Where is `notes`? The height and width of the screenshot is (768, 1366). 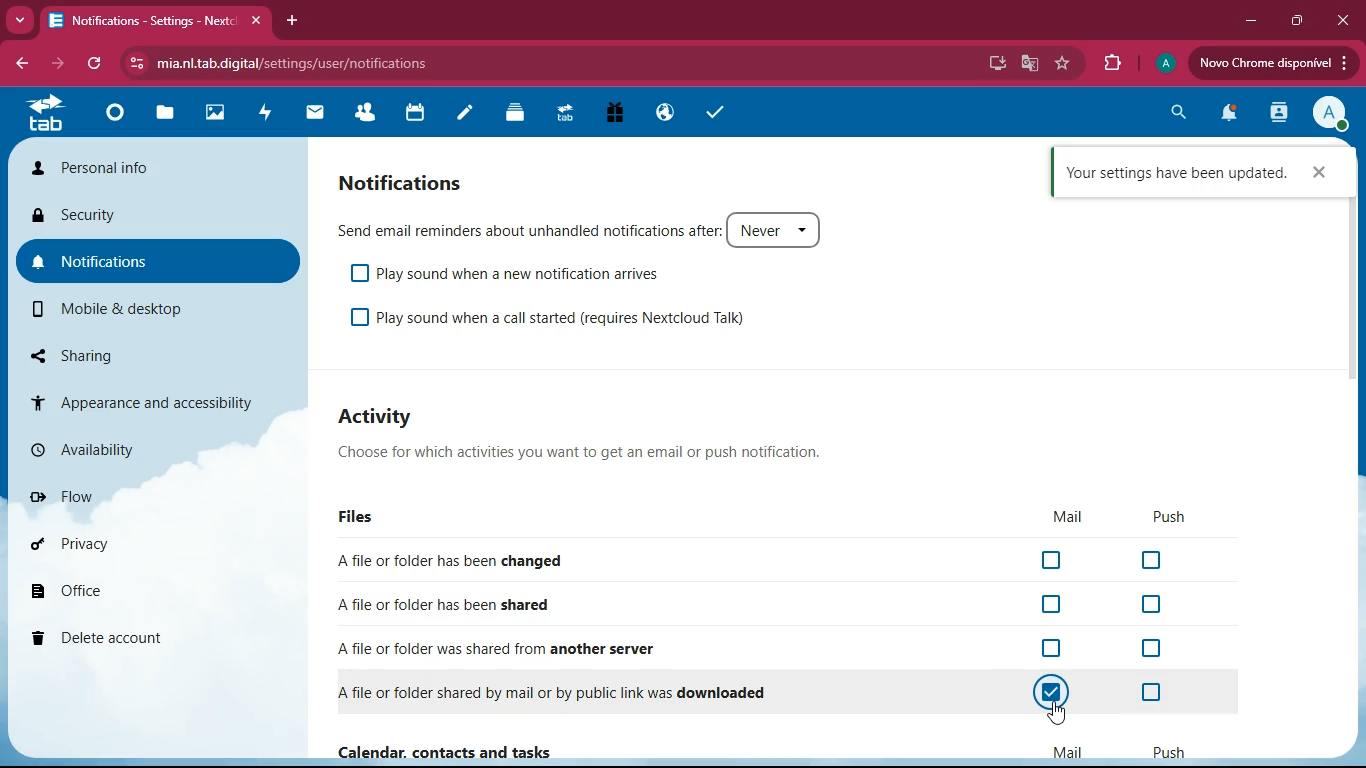
notes is located at coordinates (464, 115).